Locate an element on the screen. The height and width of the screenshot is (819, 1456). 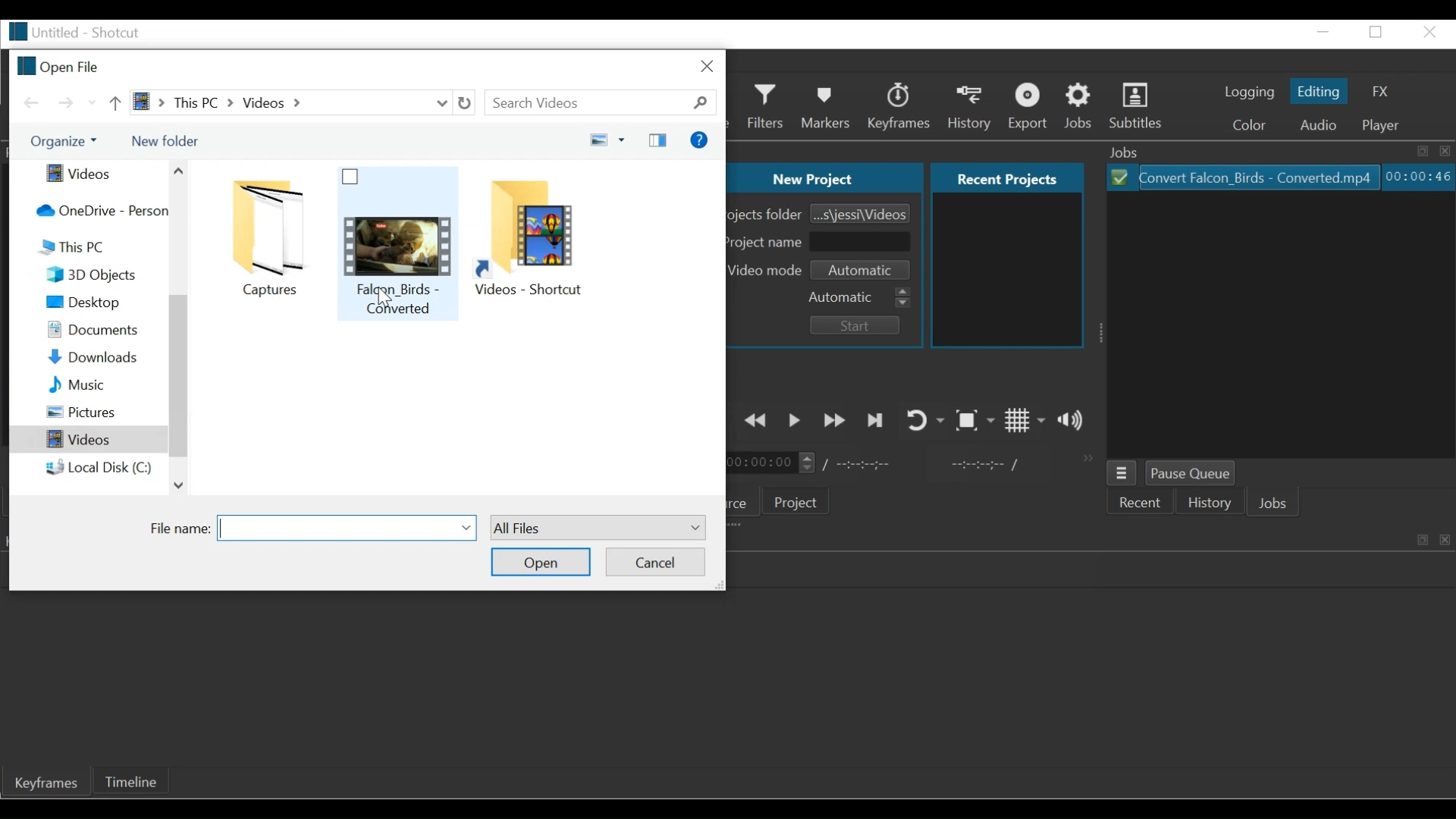
Editing is located at coordinates (1319, 89).